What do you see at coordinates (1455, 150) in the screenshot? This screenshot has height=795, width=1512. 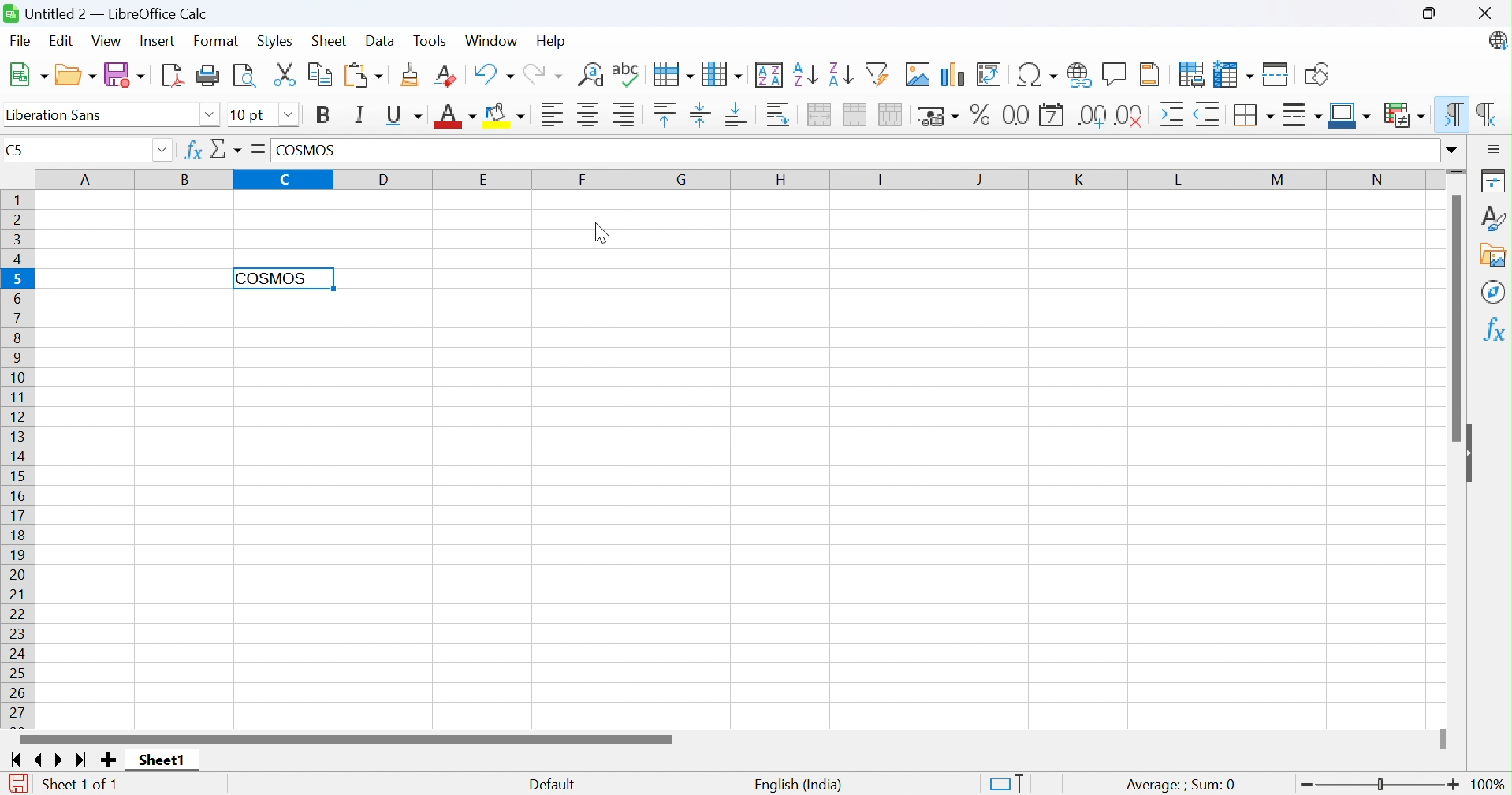 I see `Expand formula bar` at bounding box center [1455, 150].